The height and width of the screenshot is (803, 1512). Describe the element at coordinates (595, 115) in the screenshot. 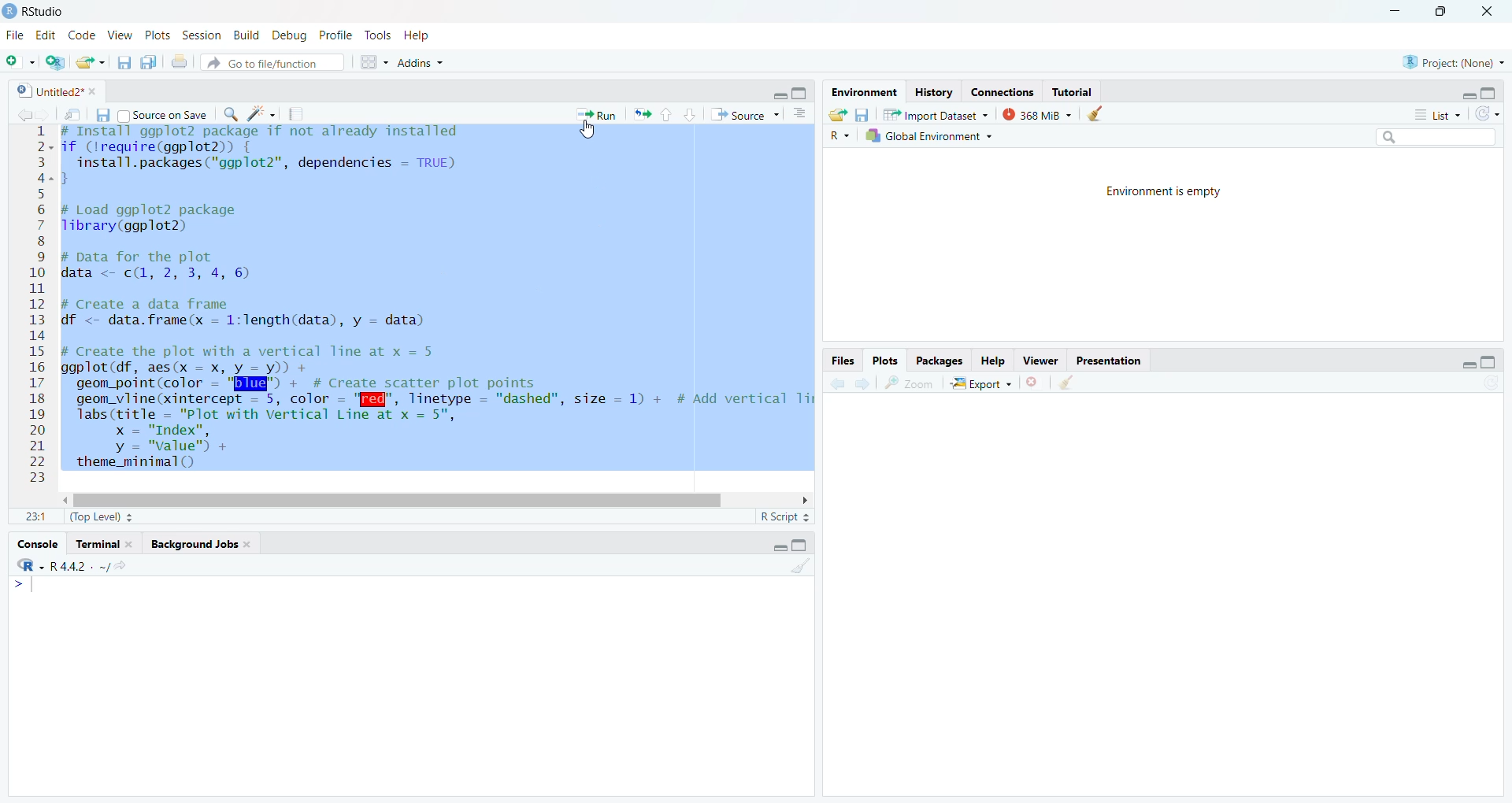

I see `* Run` at that location.